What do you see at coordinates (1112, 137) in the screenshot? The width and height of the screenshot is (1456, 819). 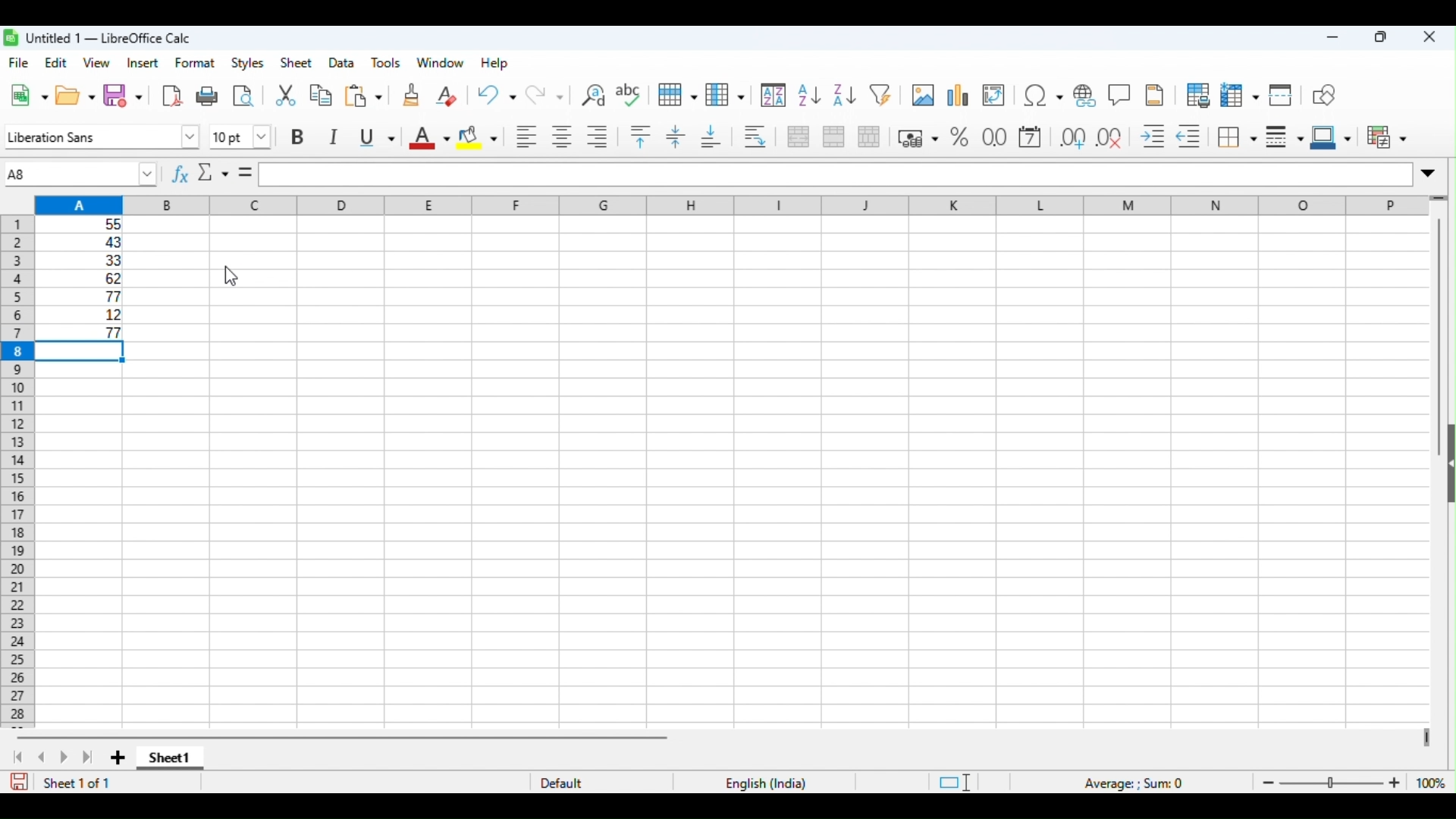 I see `delete decimal place` at bounding box center [1112, 137].